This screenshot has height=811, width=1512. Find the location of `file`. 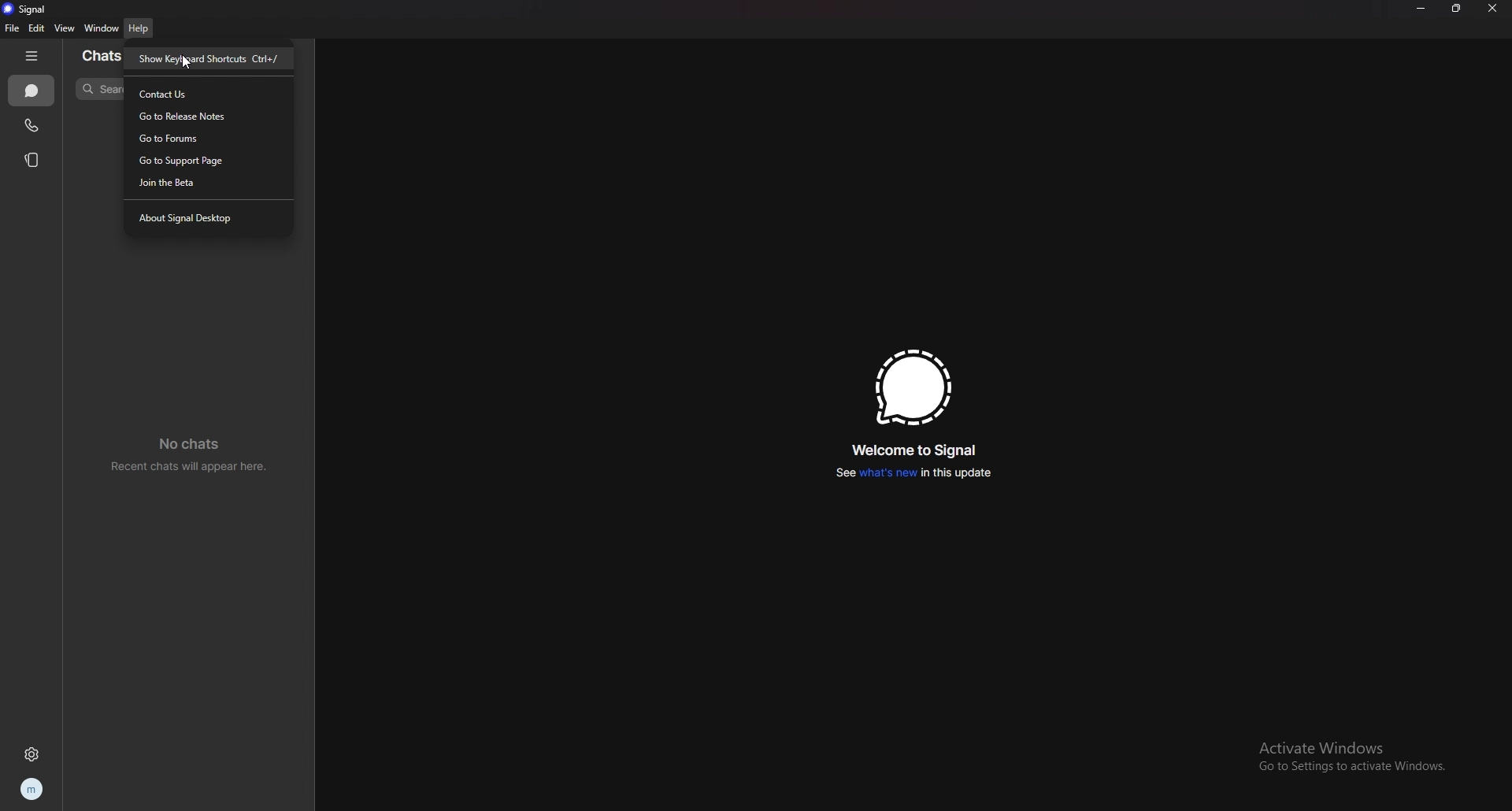

file is located at coordinates (13, 28).